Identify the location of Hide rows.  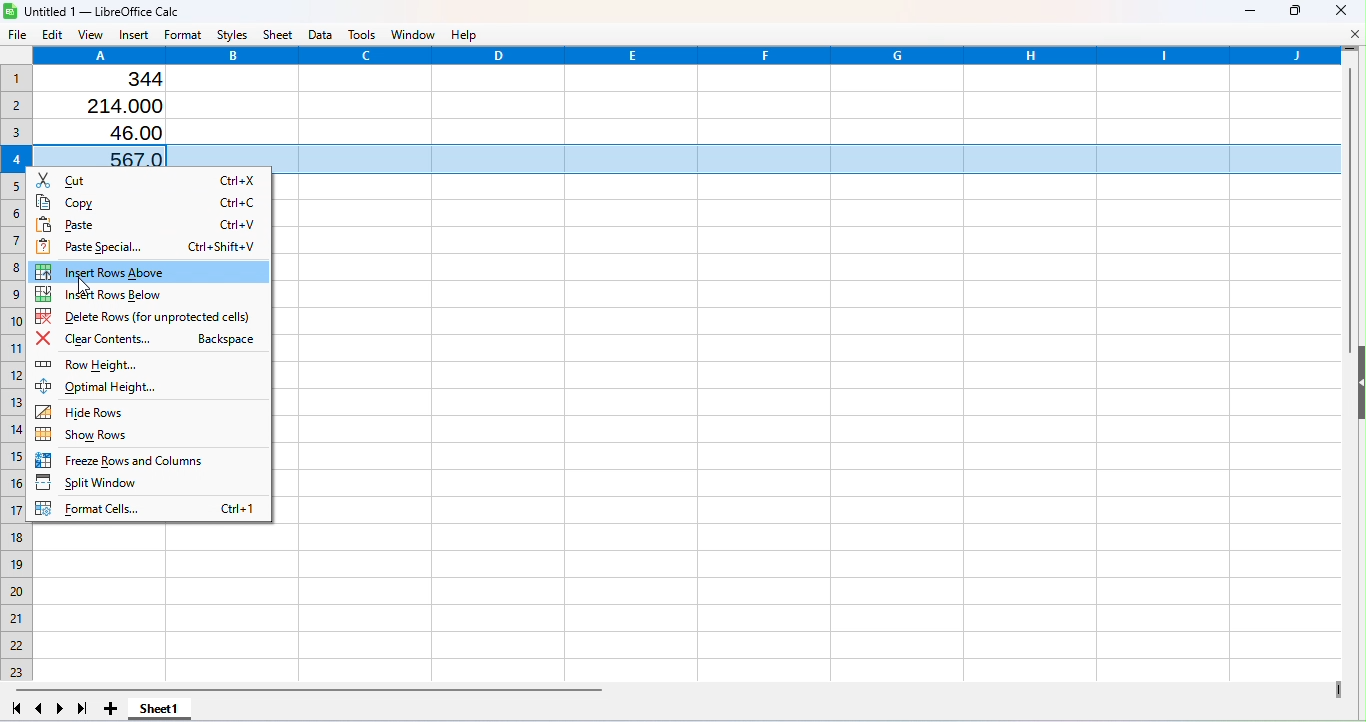
(104, 411).